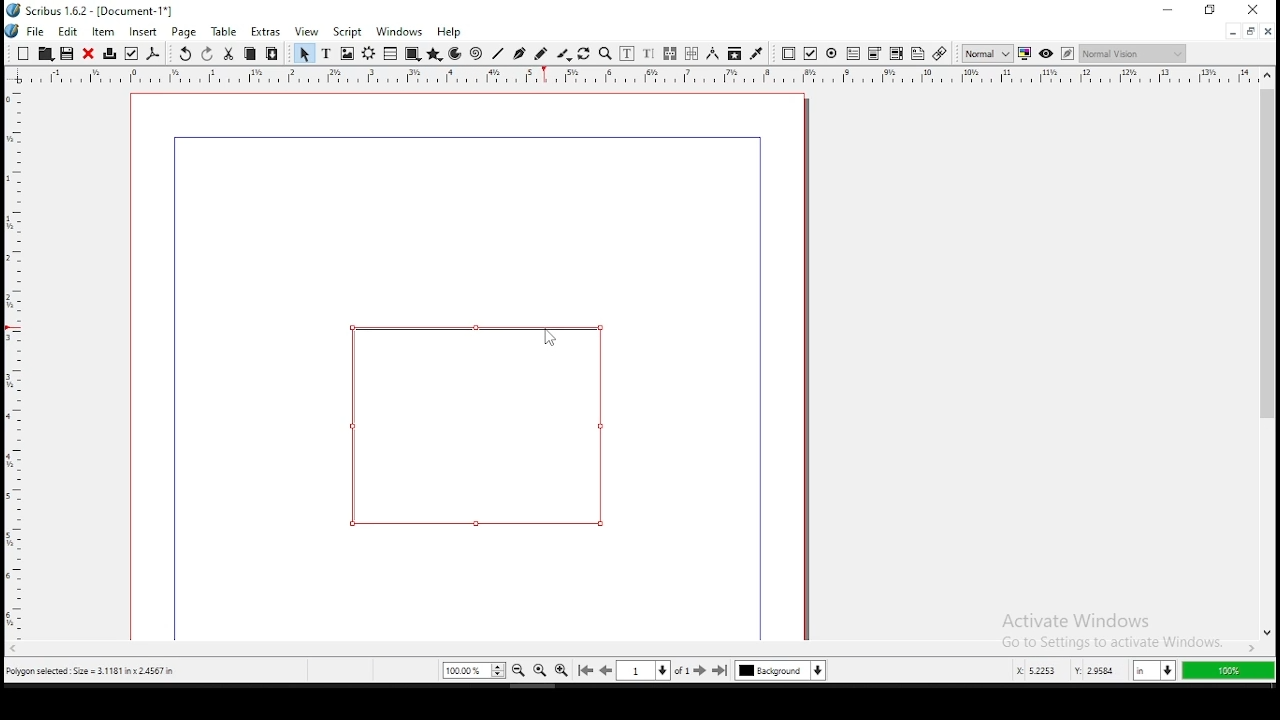  Describe the element at coordinates (1094, 671) in the screenshot. I see `y: 2.9584` at that location.